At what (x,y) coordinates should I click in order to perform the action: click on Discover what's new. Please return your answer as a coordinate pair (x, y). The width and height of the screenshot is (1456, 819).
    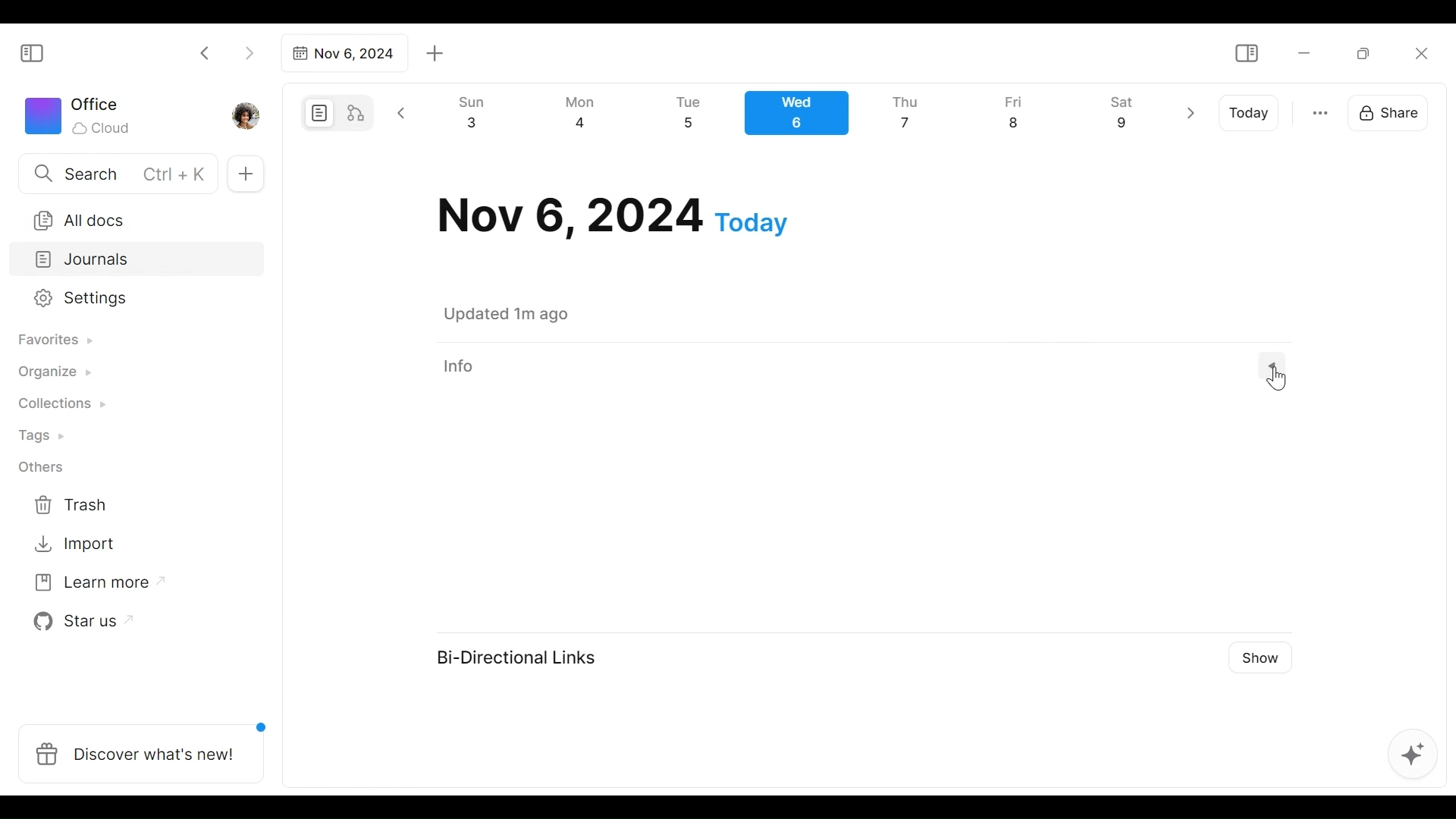
    Looking at the image, I should click on (147, 745).